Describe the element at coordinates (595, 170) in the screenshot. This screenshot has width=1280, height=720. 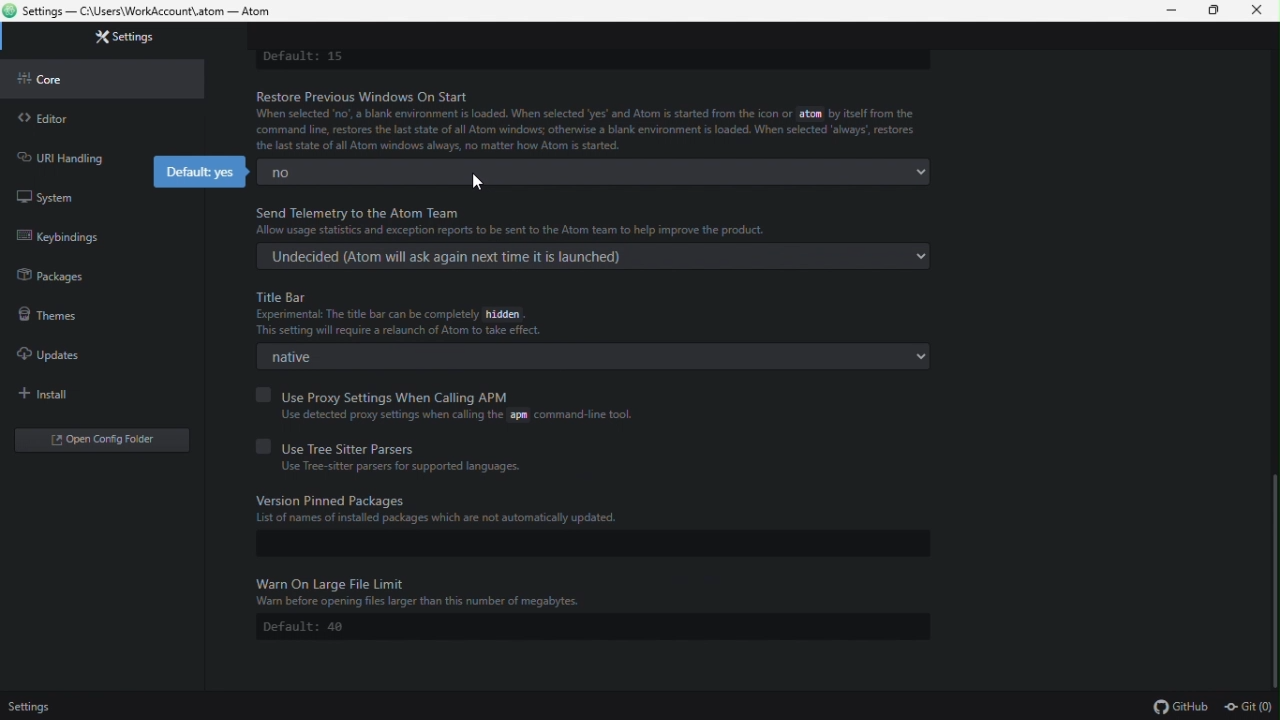
I see `no` at that location.